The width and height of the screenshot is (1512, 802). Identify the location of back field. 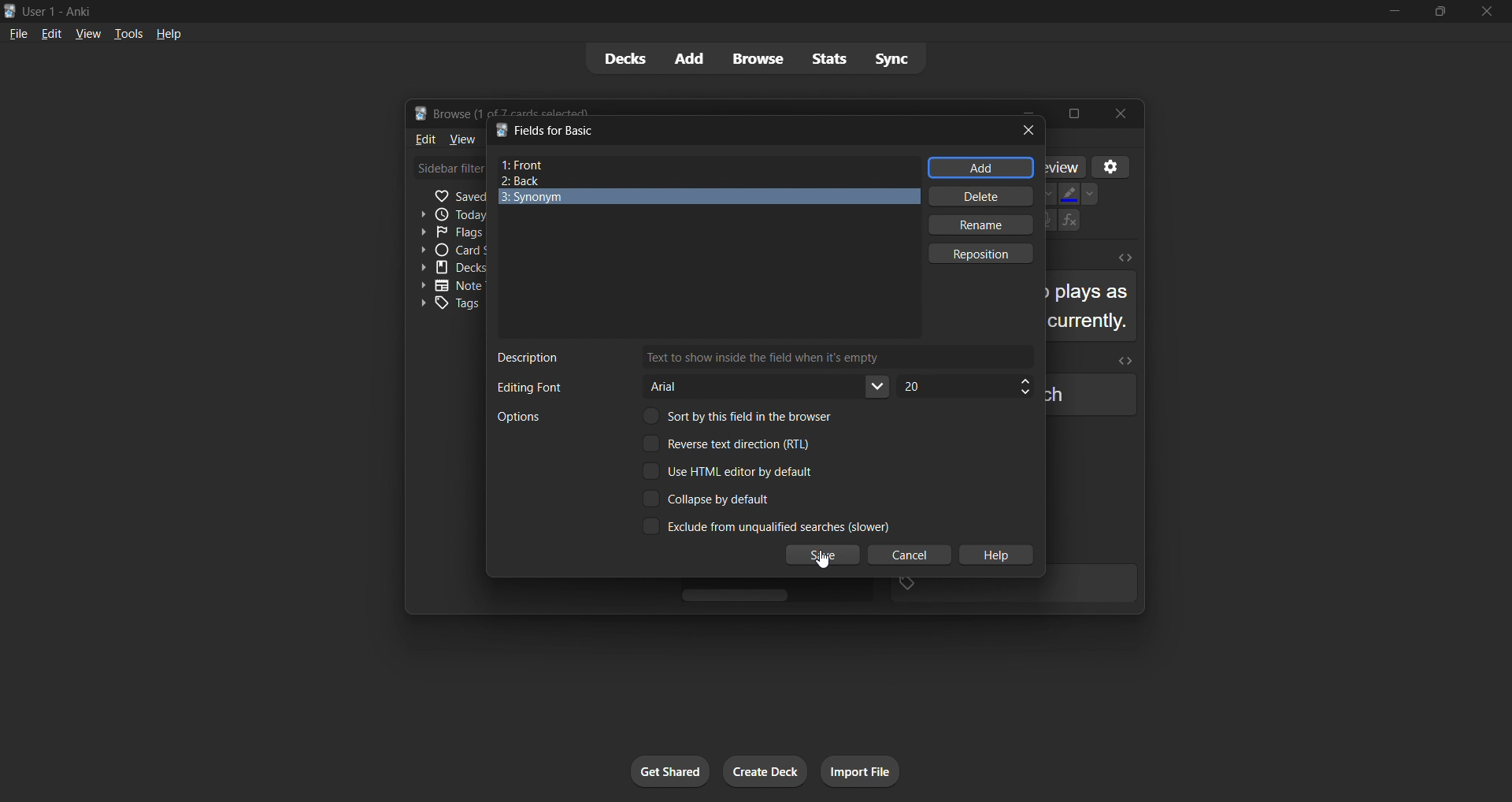
(710, 181).